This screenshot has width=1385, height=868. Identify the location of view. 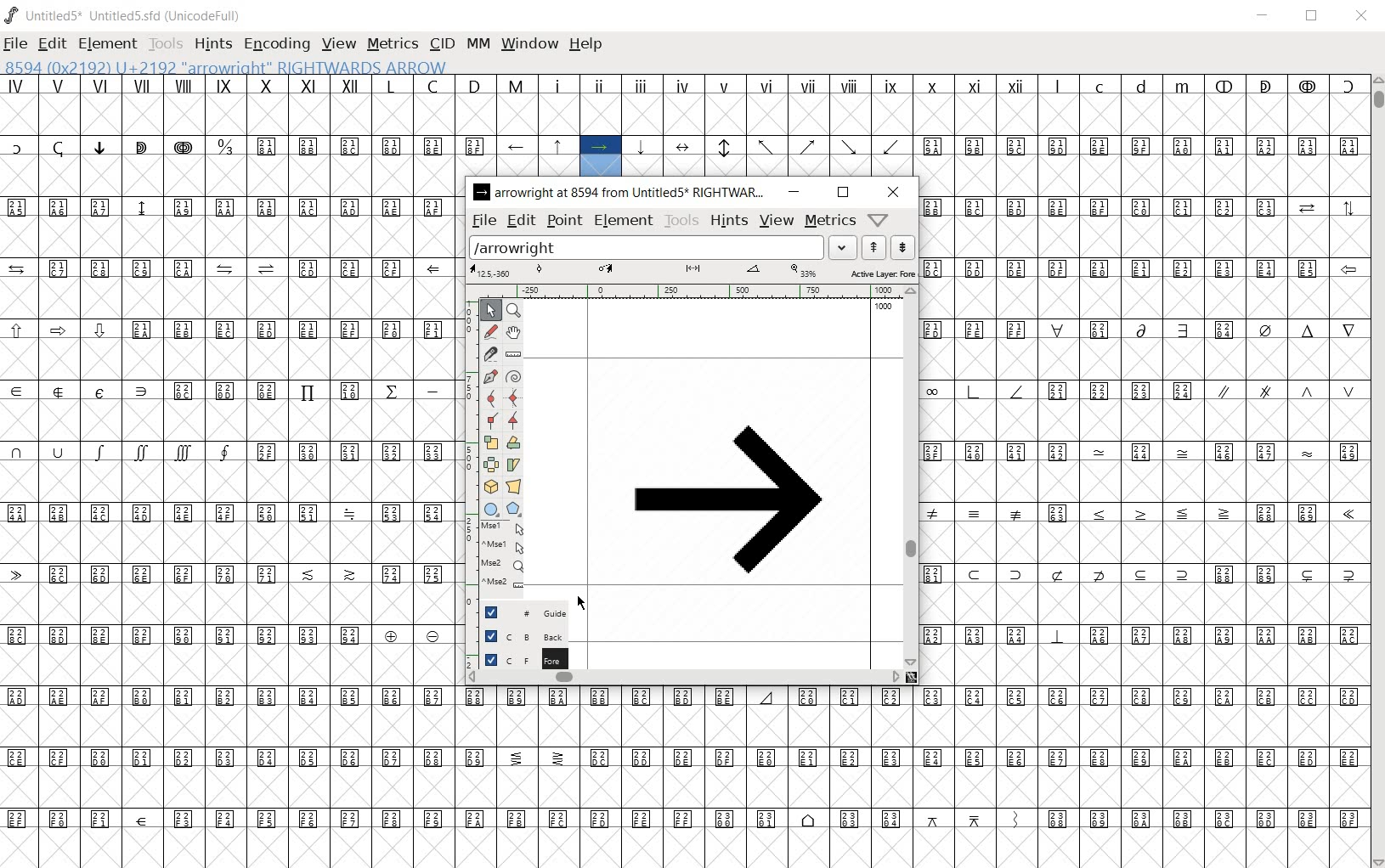
(778, 220).